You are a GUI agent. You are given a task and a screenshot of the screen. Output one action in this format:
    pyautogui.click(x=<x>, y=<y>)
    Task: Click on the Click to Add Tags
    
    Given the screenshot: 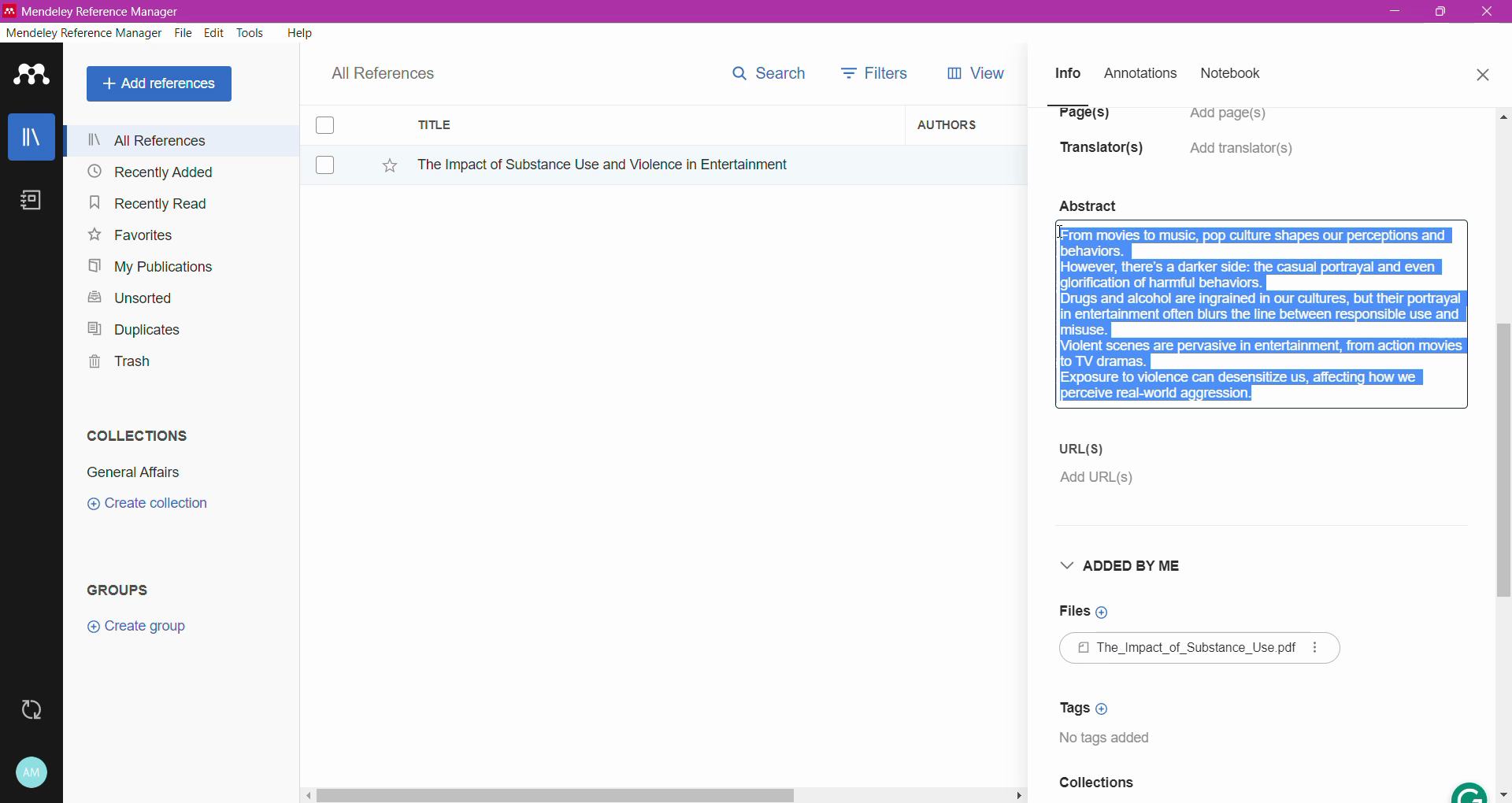 What is the action you would take?
    pyautogui.click(x=1089, y=708)
    